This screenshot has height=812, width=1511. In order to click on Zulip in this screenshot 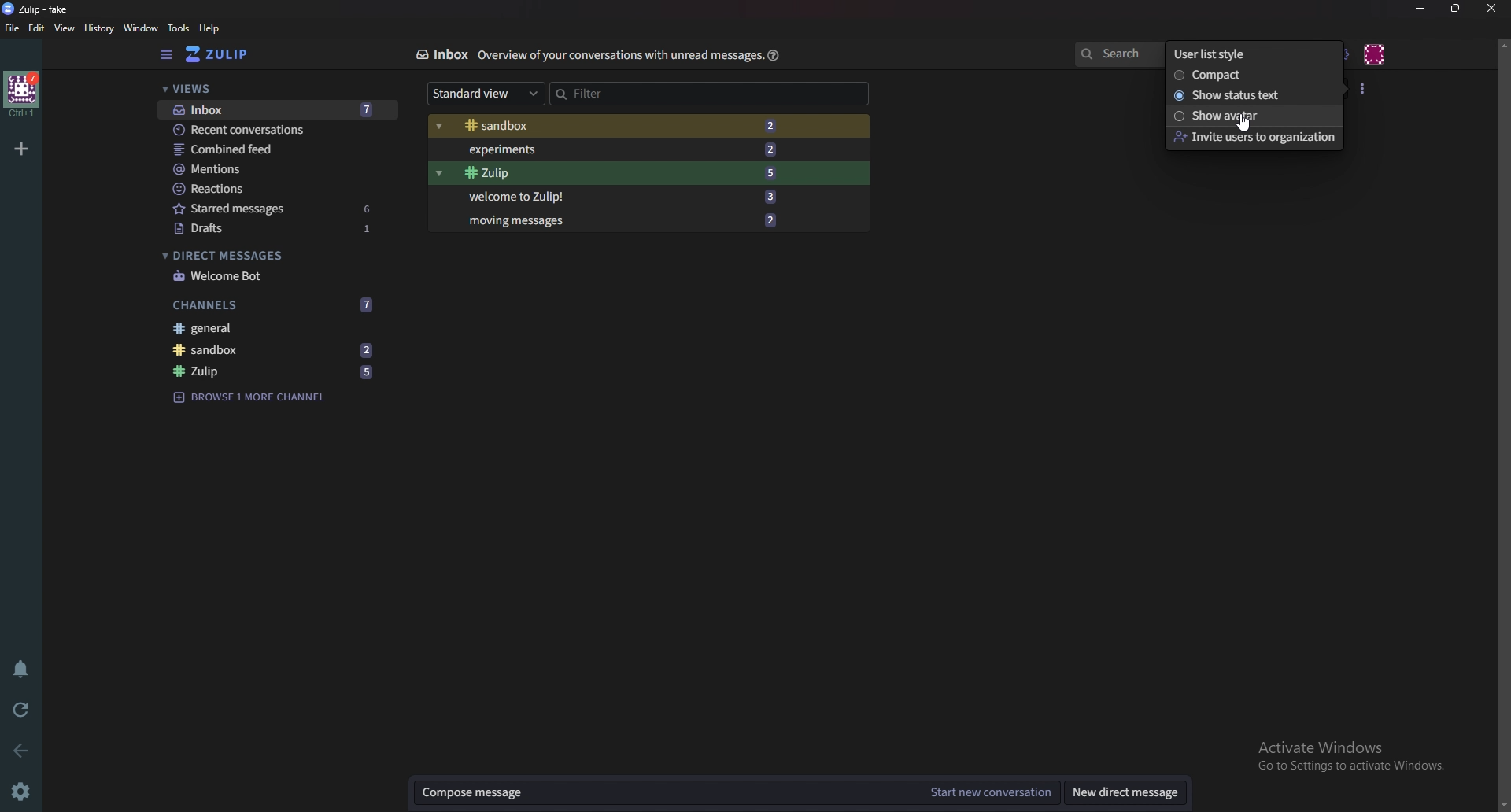, I will do `click(616, 173)`.